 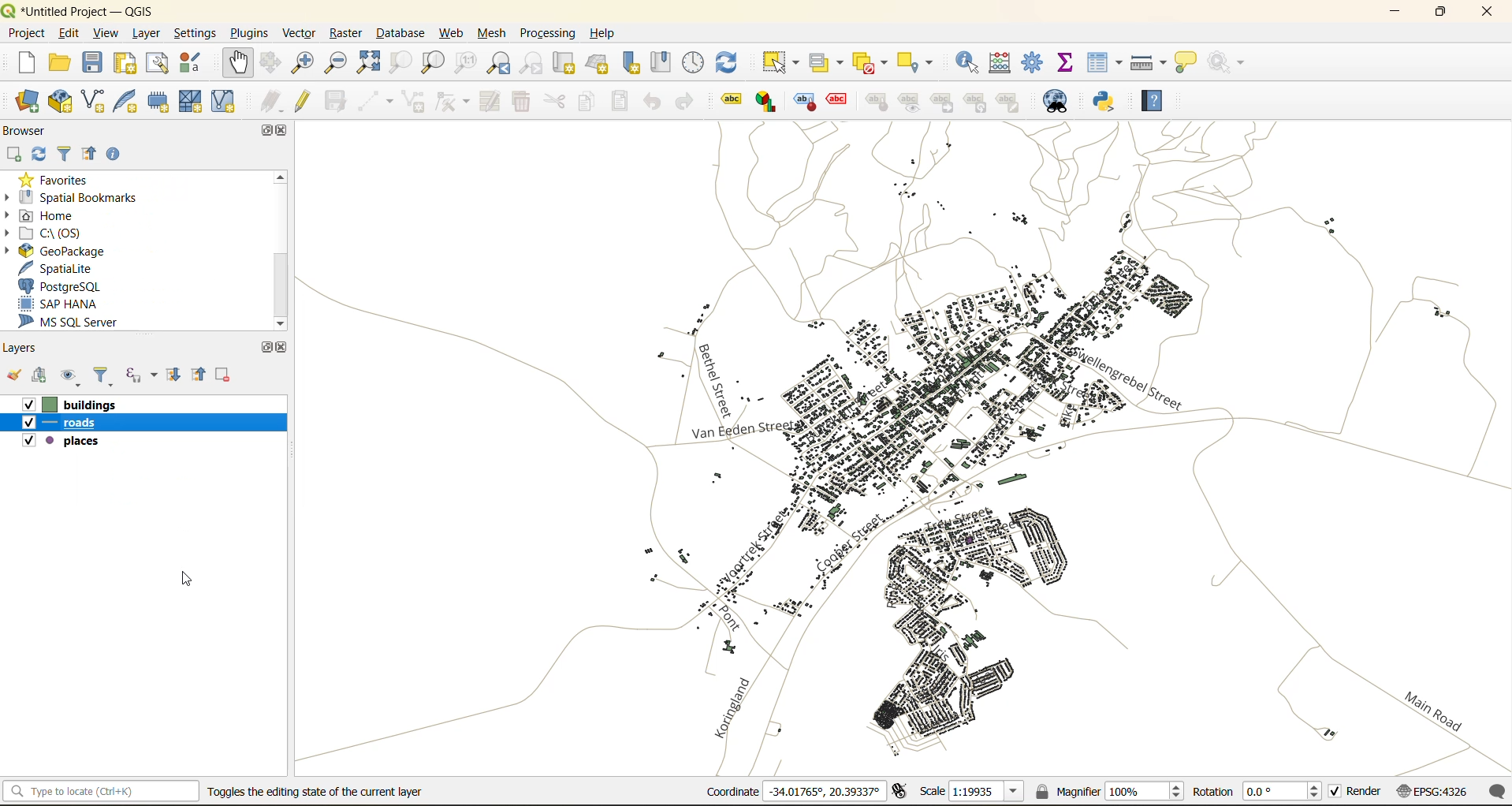 I want to click on zoom full, so click(x=367, y=61).